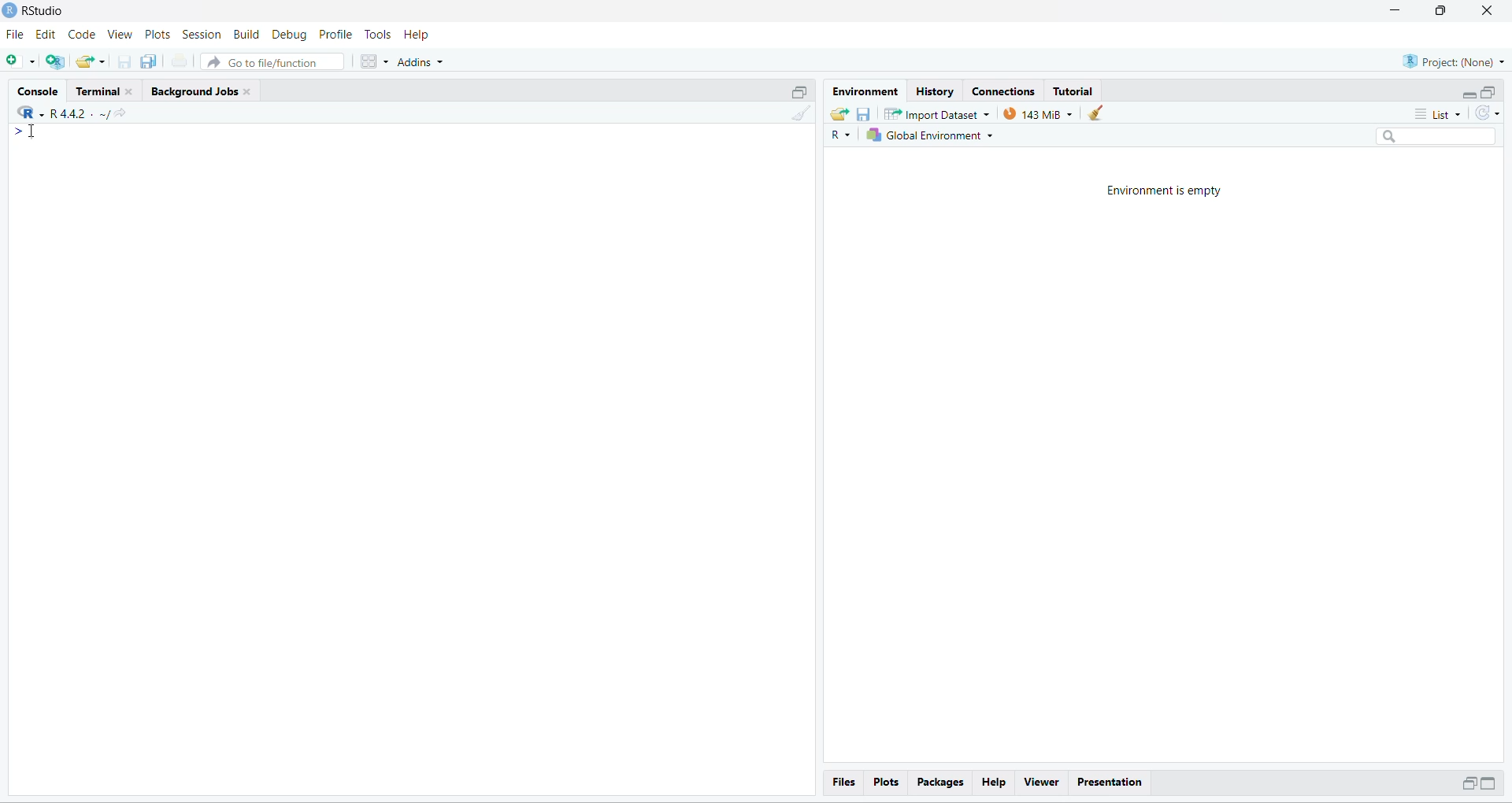 Image resolution: width=1512 pixels, height=803 pixels. What do you see at coordinates (933, 135) in the screenshot?
I see `global enviornment` at bounding box center [933, 135].